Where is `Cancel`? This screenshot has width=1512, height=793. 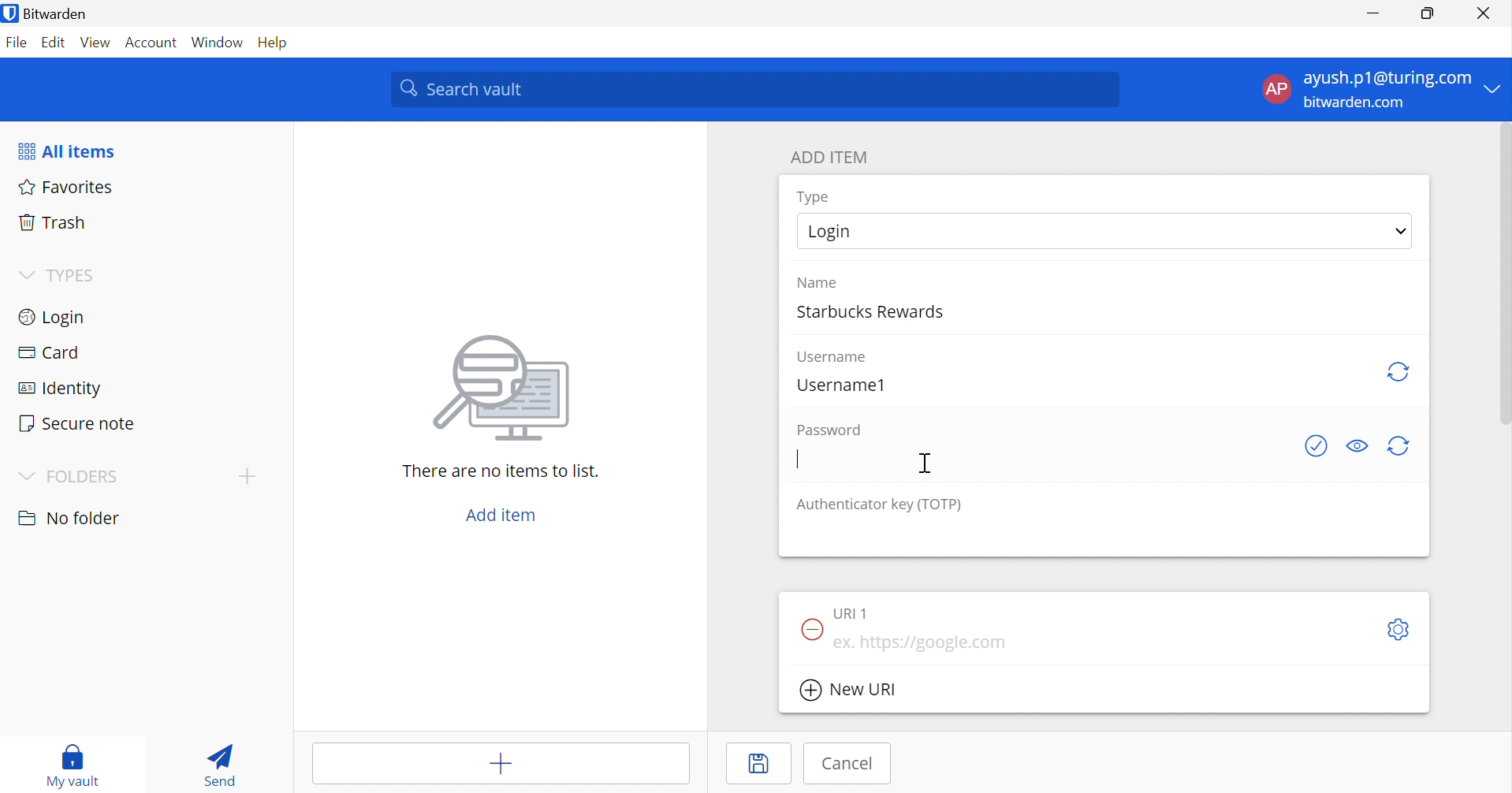 Cancel is located at coordinates (851, 764).